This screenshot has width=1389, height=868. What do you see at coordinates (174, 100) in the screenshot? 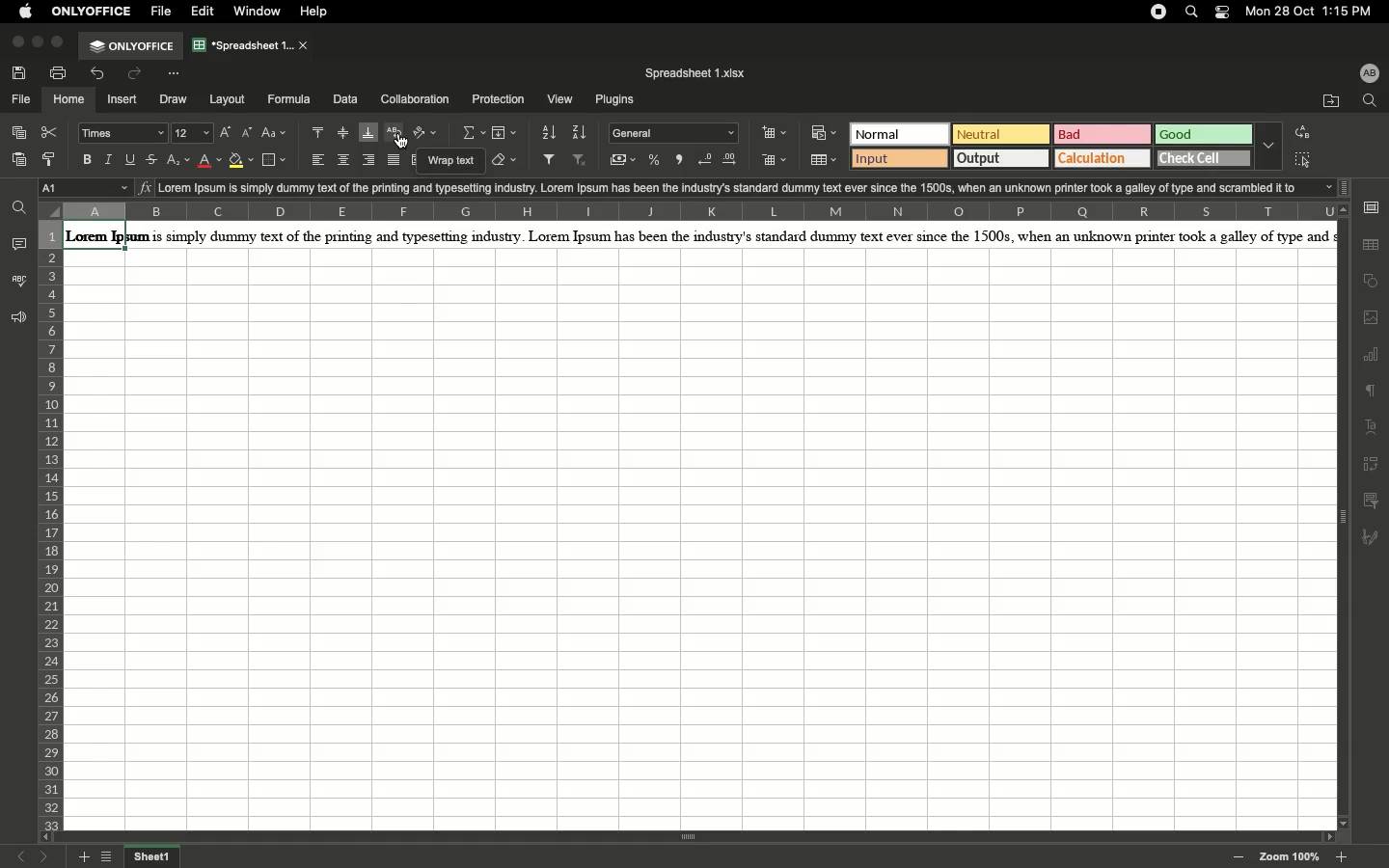
I see `Draw` at bounding box center [174, 100].